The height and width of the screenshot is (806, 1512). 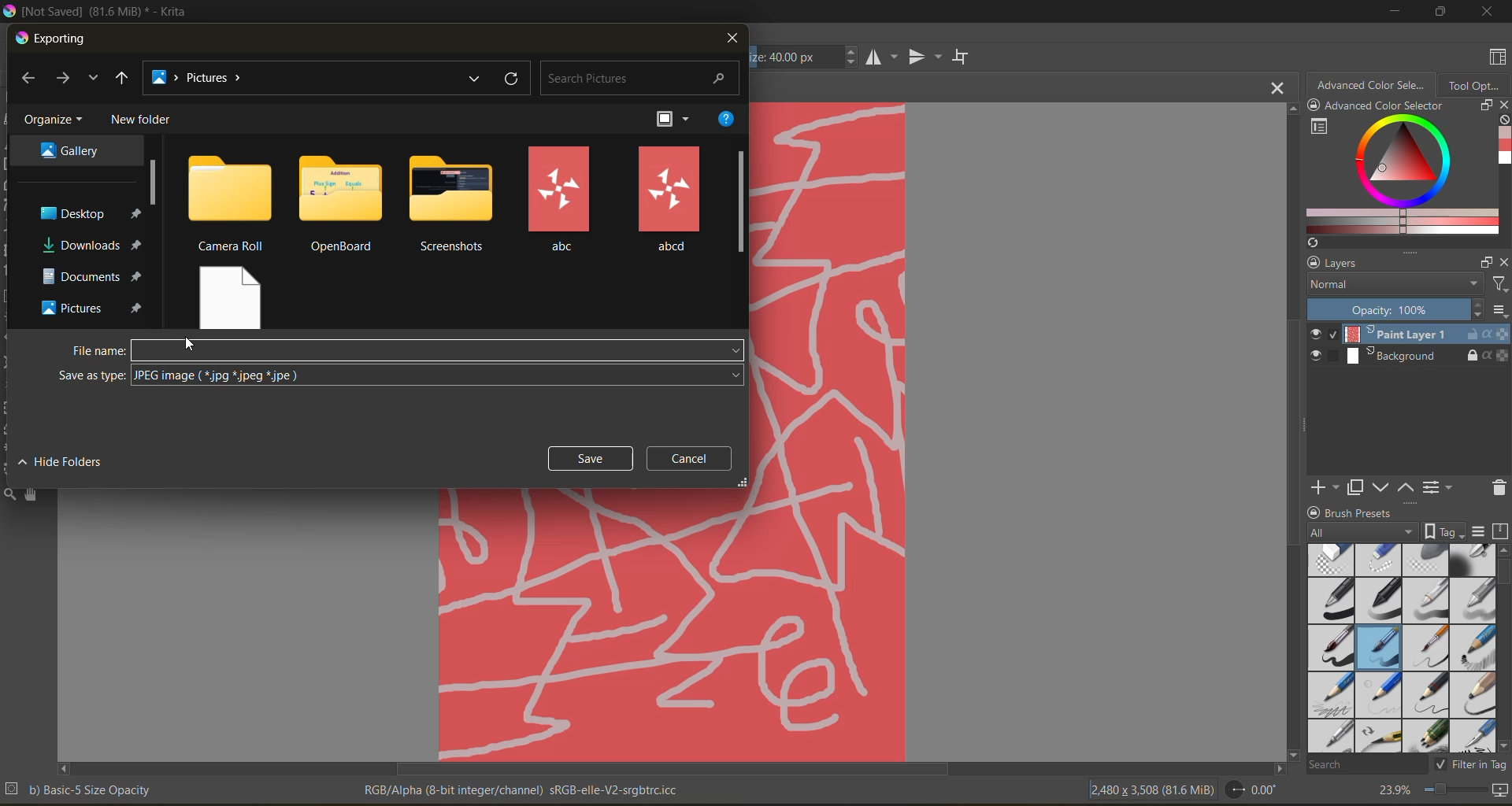 I want to click on folder destination, so click(x=89, y=213).